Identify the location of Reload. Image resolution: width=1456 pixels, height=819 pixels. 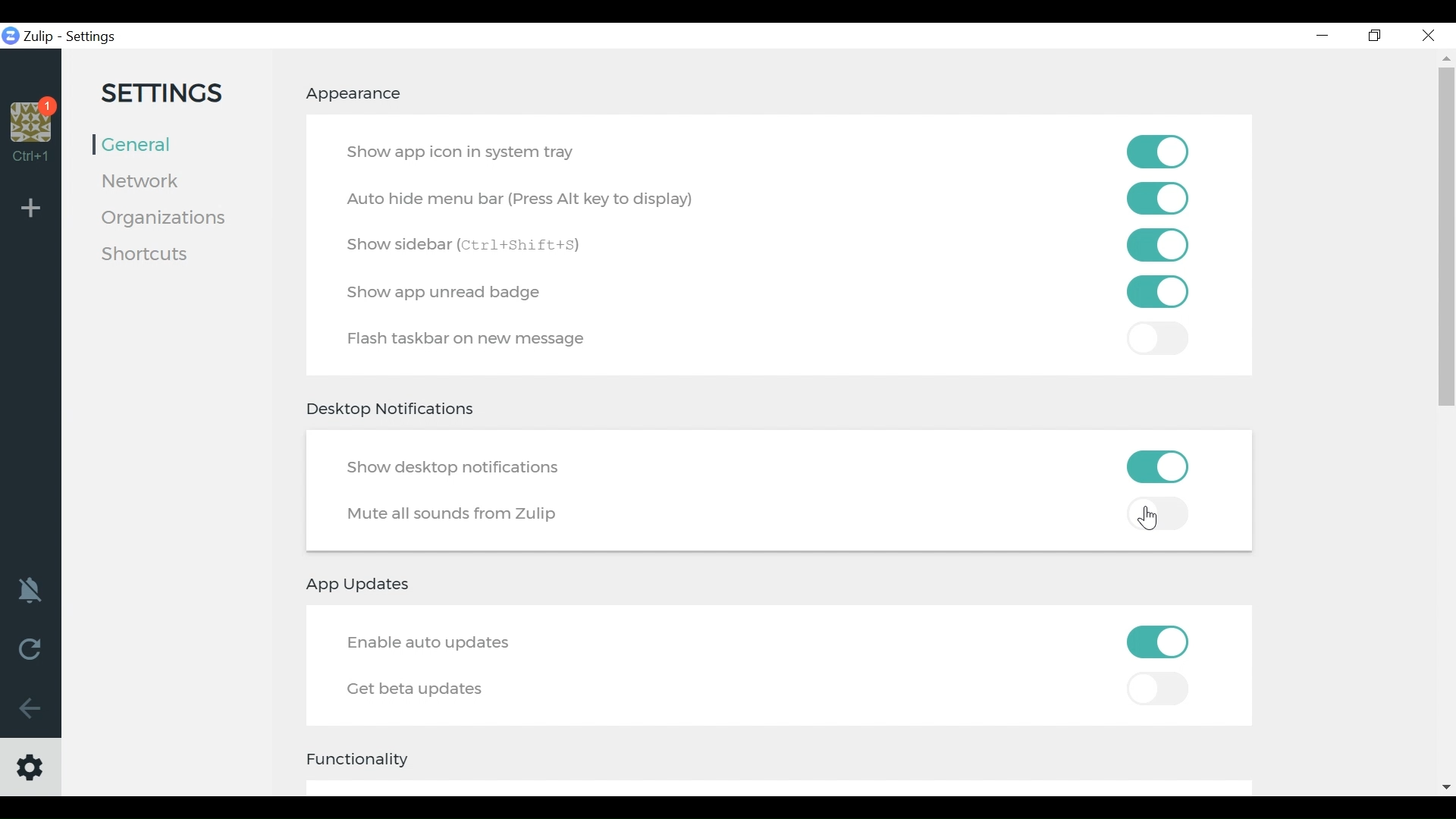
(30, 648).